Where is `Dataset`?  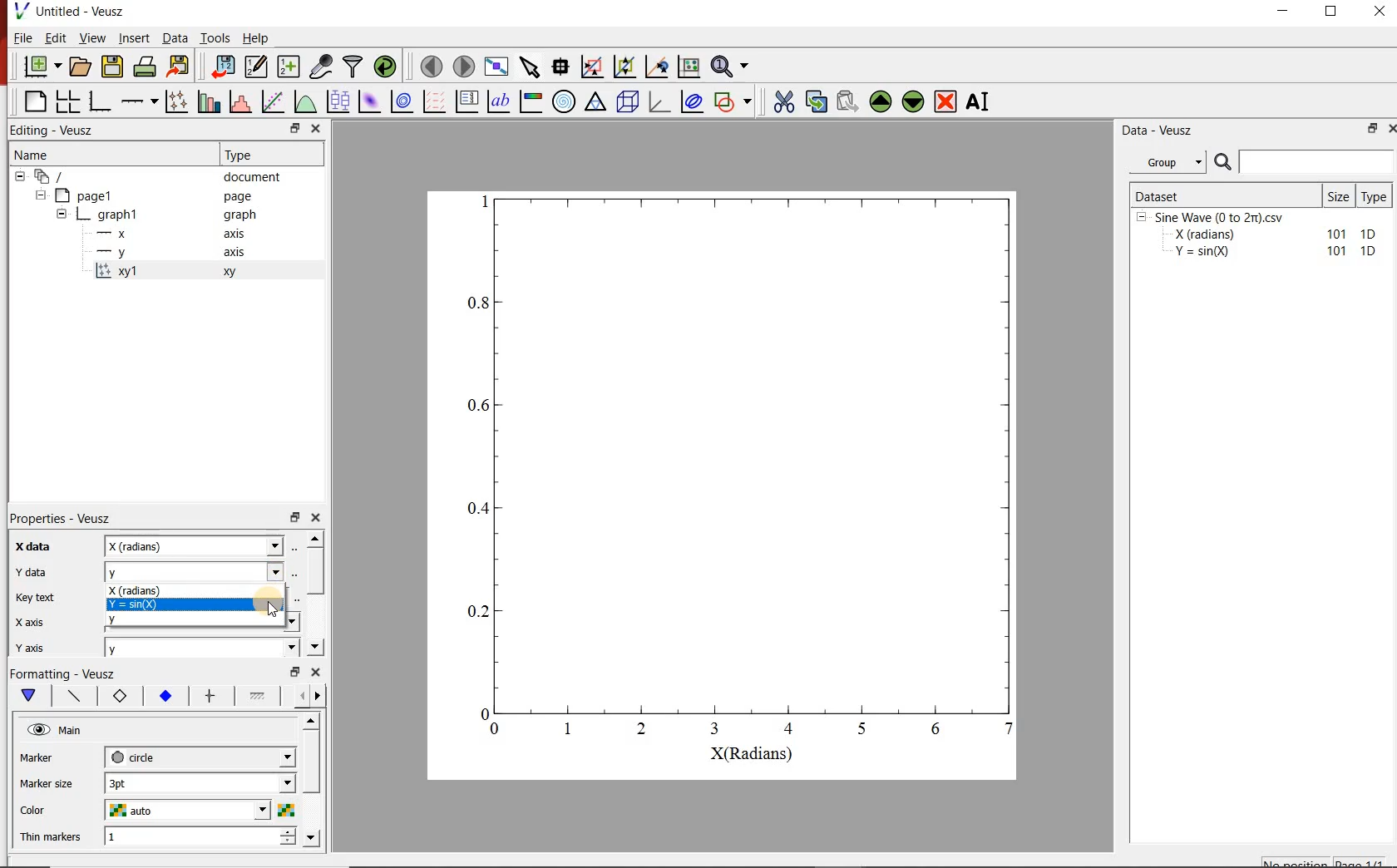
Dataset is located at coordinates (1224, 195).